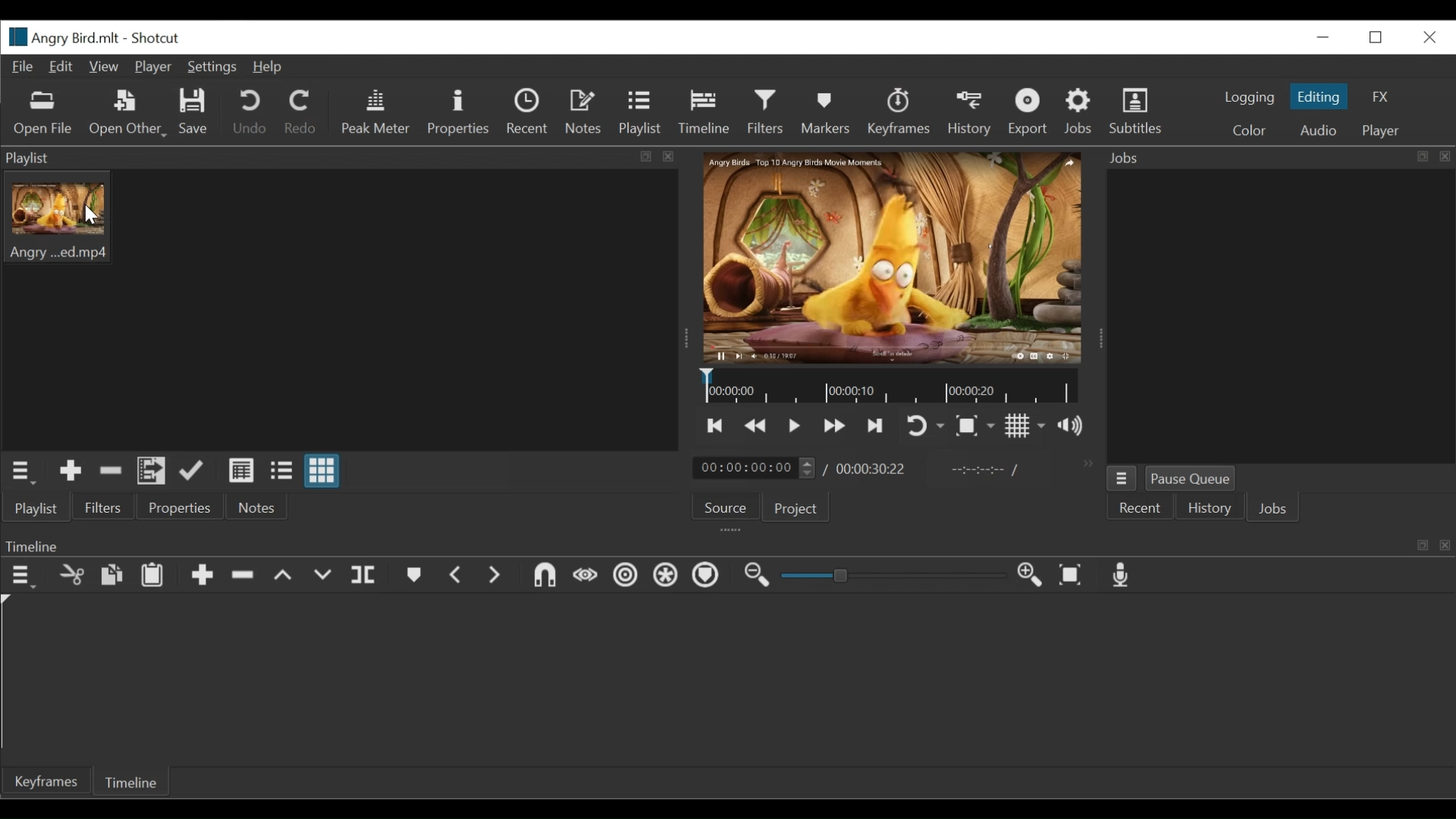 This screenshot has height=819, width=1456. What do you see at coordinates (717, 425) in the screenshot?
I see `Skip to the next point` at bounding box center [717, 425].